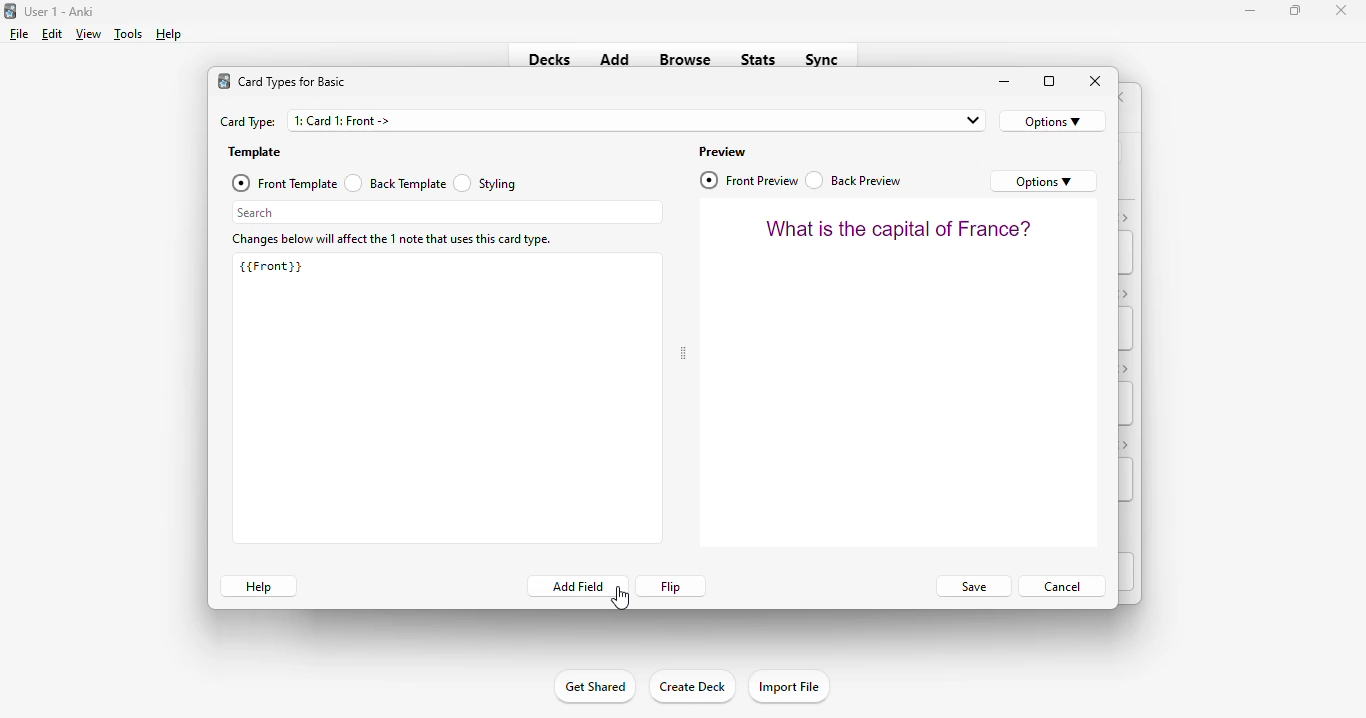  What do you see at coordinates (750, 180) in the screenshot?
I see `front preview` at bounding box center [750, 180].